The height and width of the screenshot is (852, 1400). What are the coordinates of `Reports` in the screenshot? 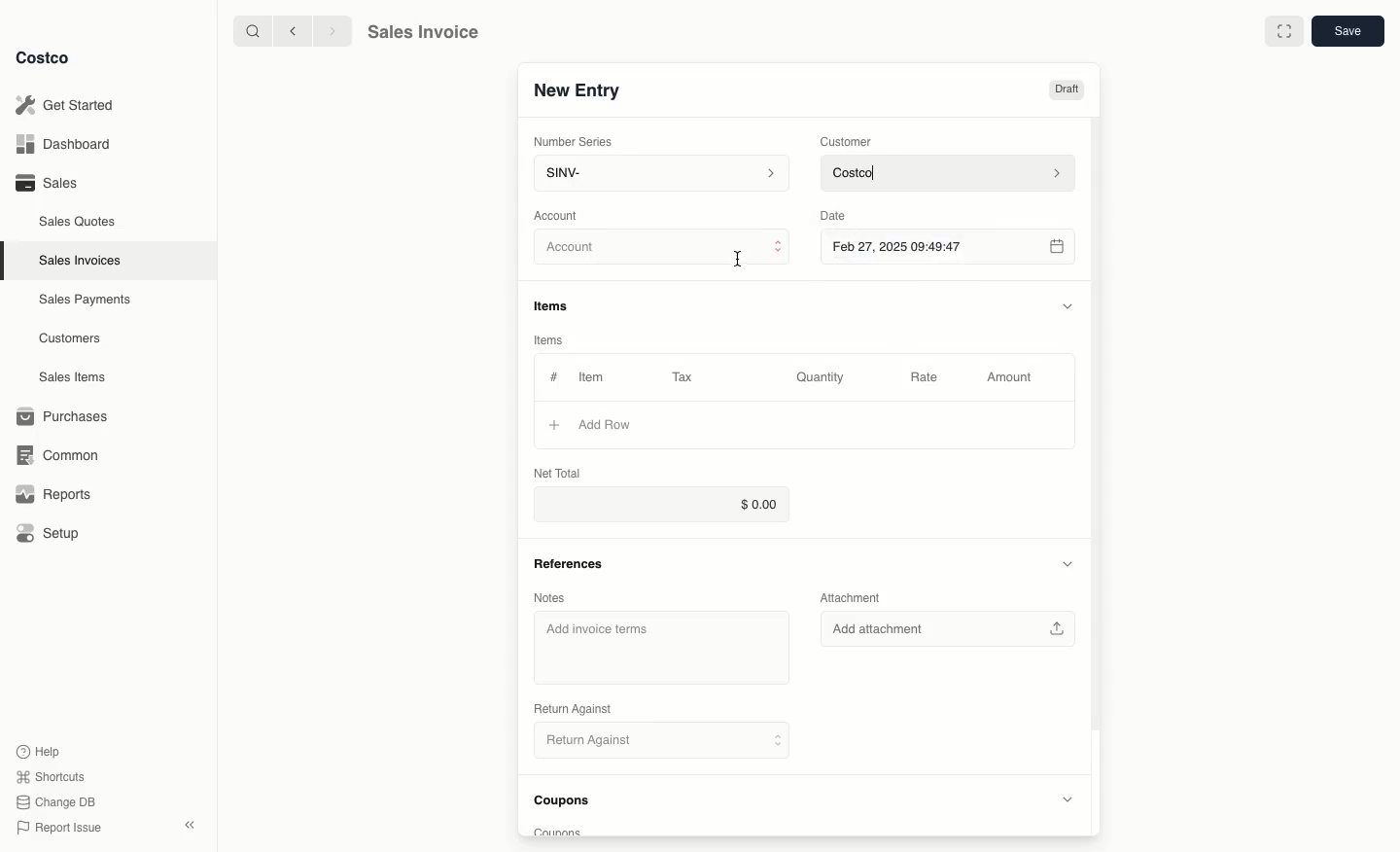 It's located at (51, 494).